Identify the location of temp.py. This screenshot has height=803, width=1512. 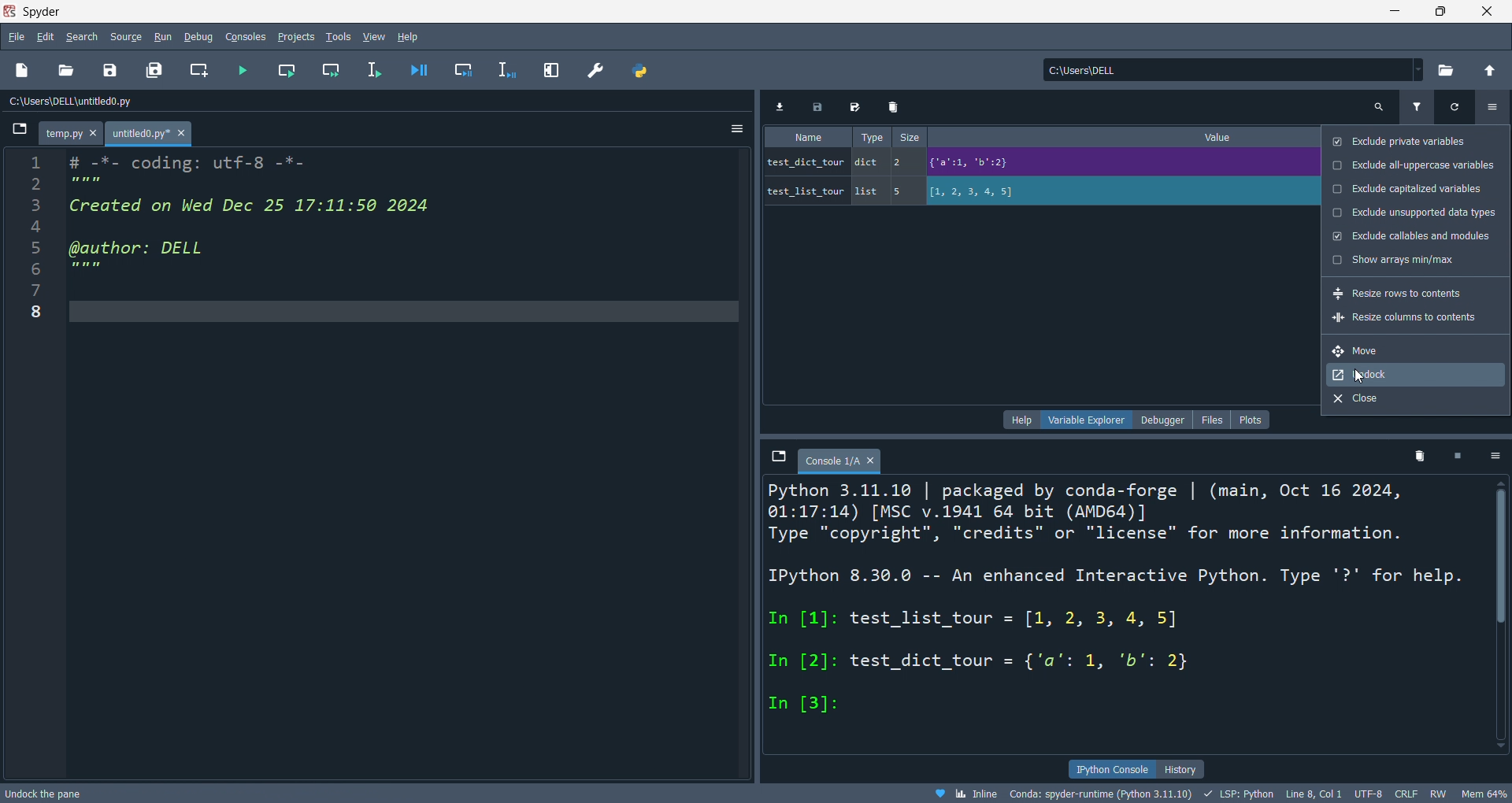
(69, 134).